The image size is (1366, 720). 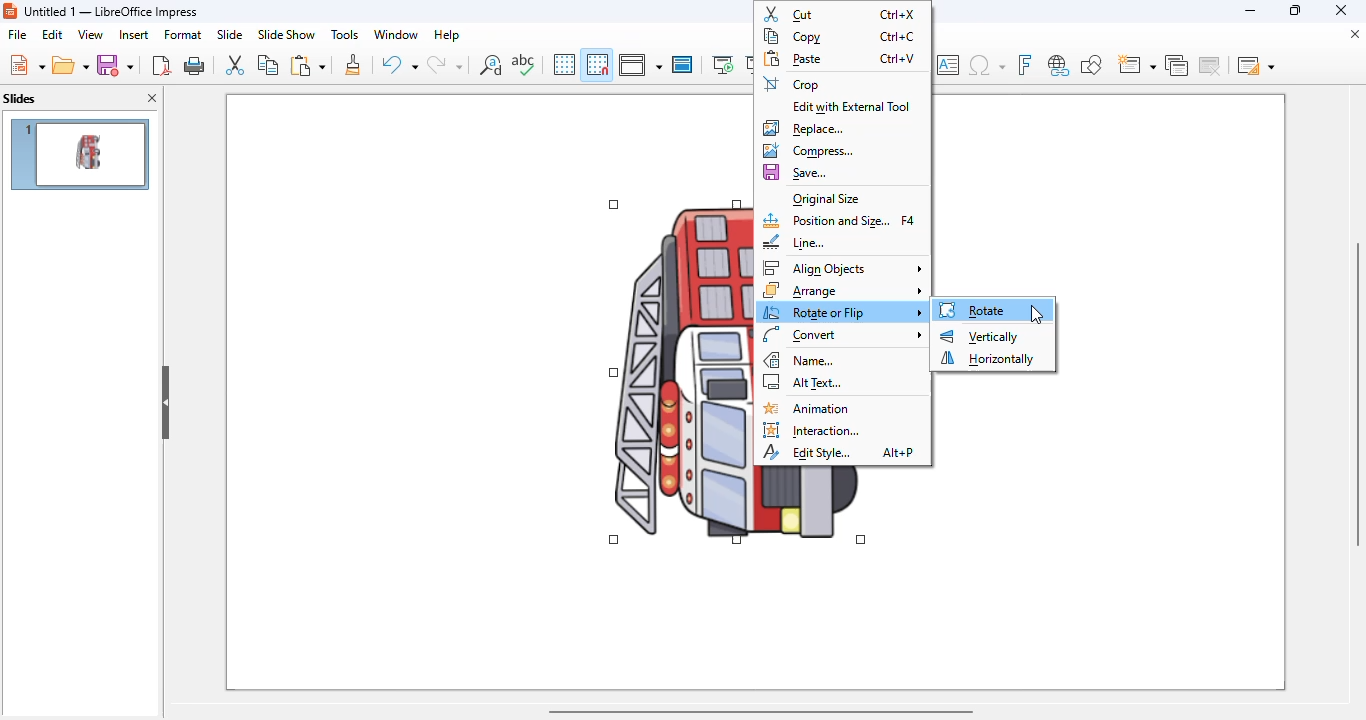 What do you see at coordinates (111, 12) in the screenshot?
I see `title` at bounding box center [111, 12].